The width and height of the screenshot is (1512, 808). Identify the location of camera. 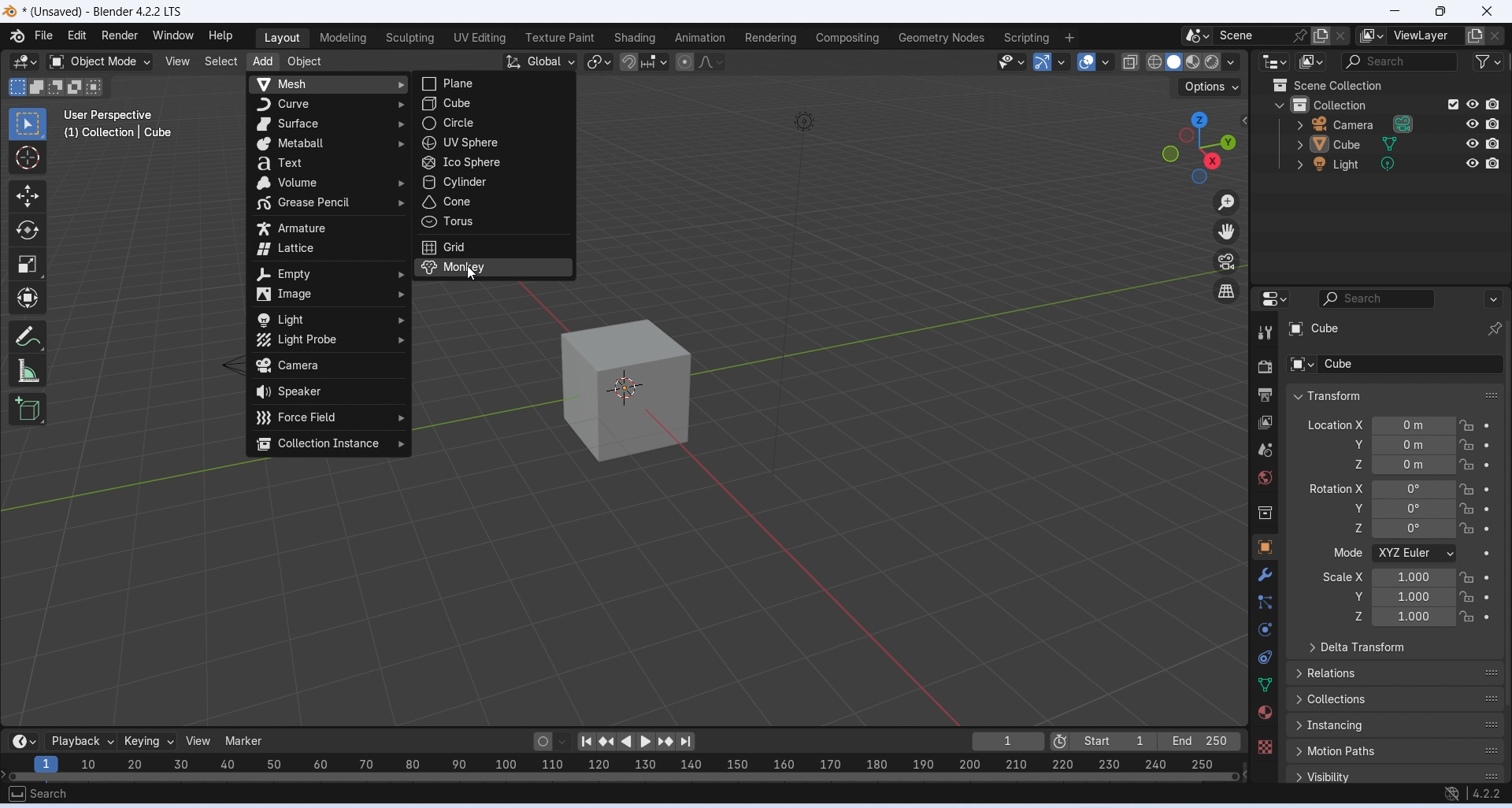
(329, 367).